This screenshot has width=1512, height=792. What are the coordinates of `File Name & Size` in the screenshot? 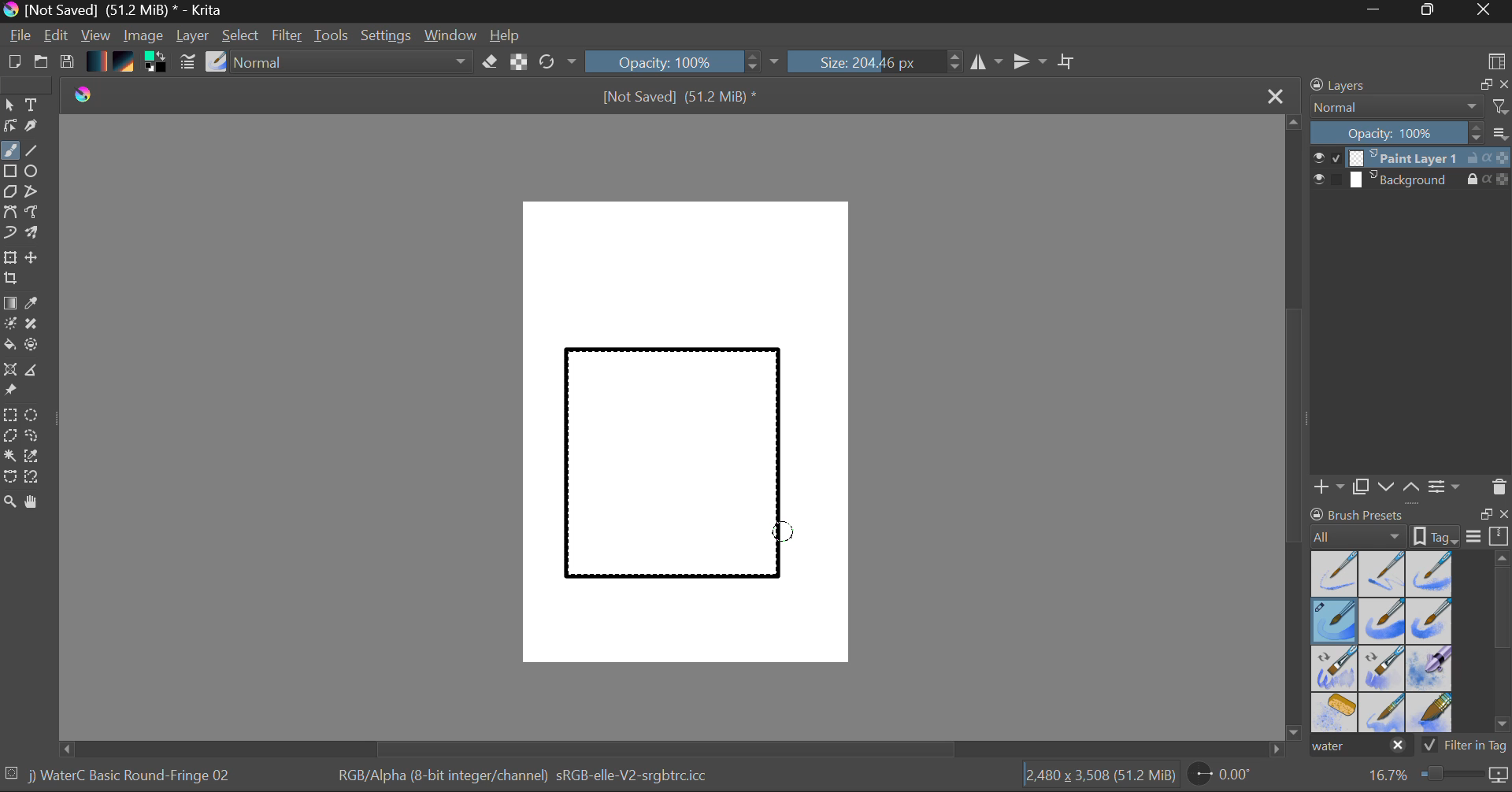 It's located at (680, 98).